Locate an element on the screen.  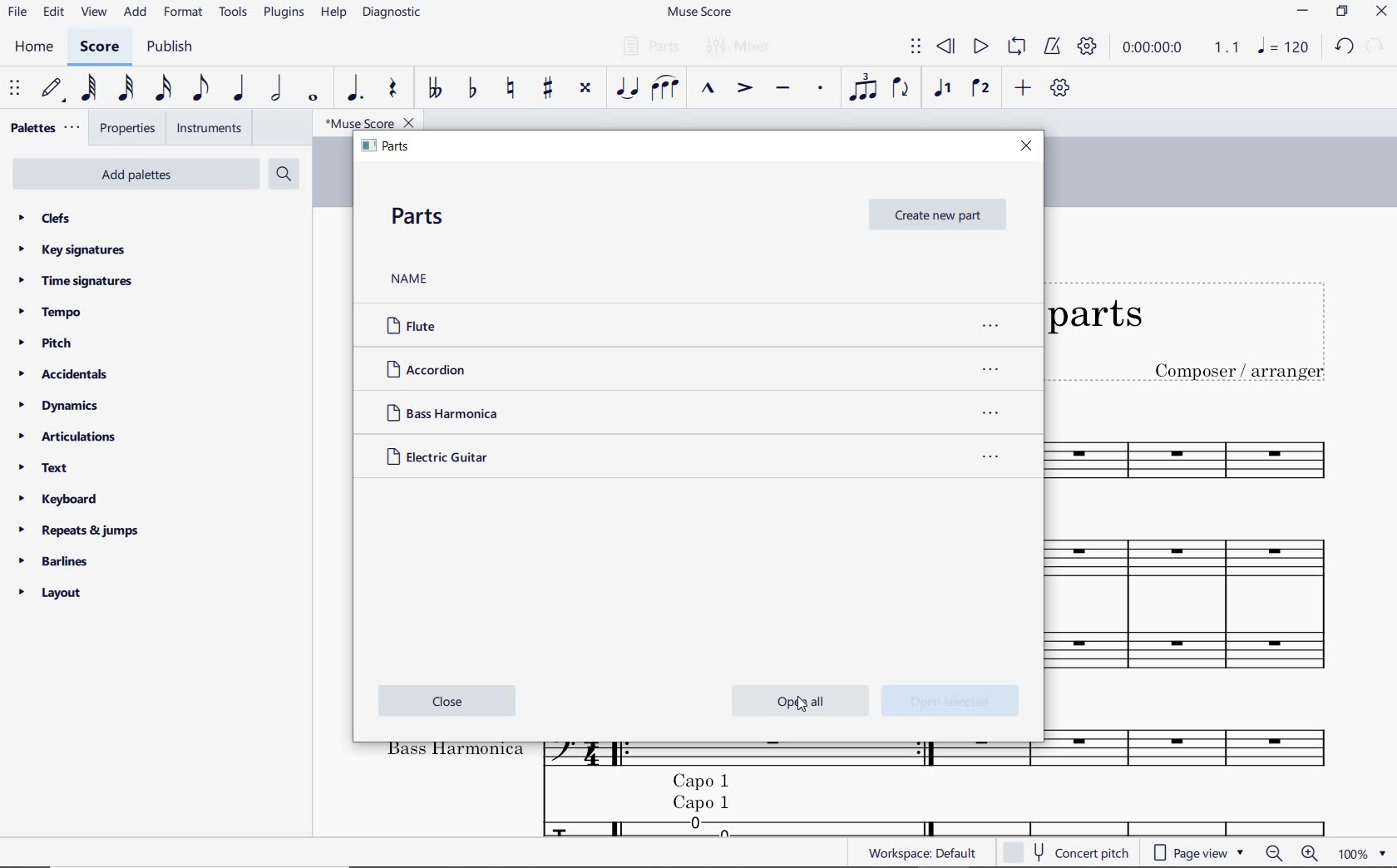
toggle natural is located at coordinates (512, 87).